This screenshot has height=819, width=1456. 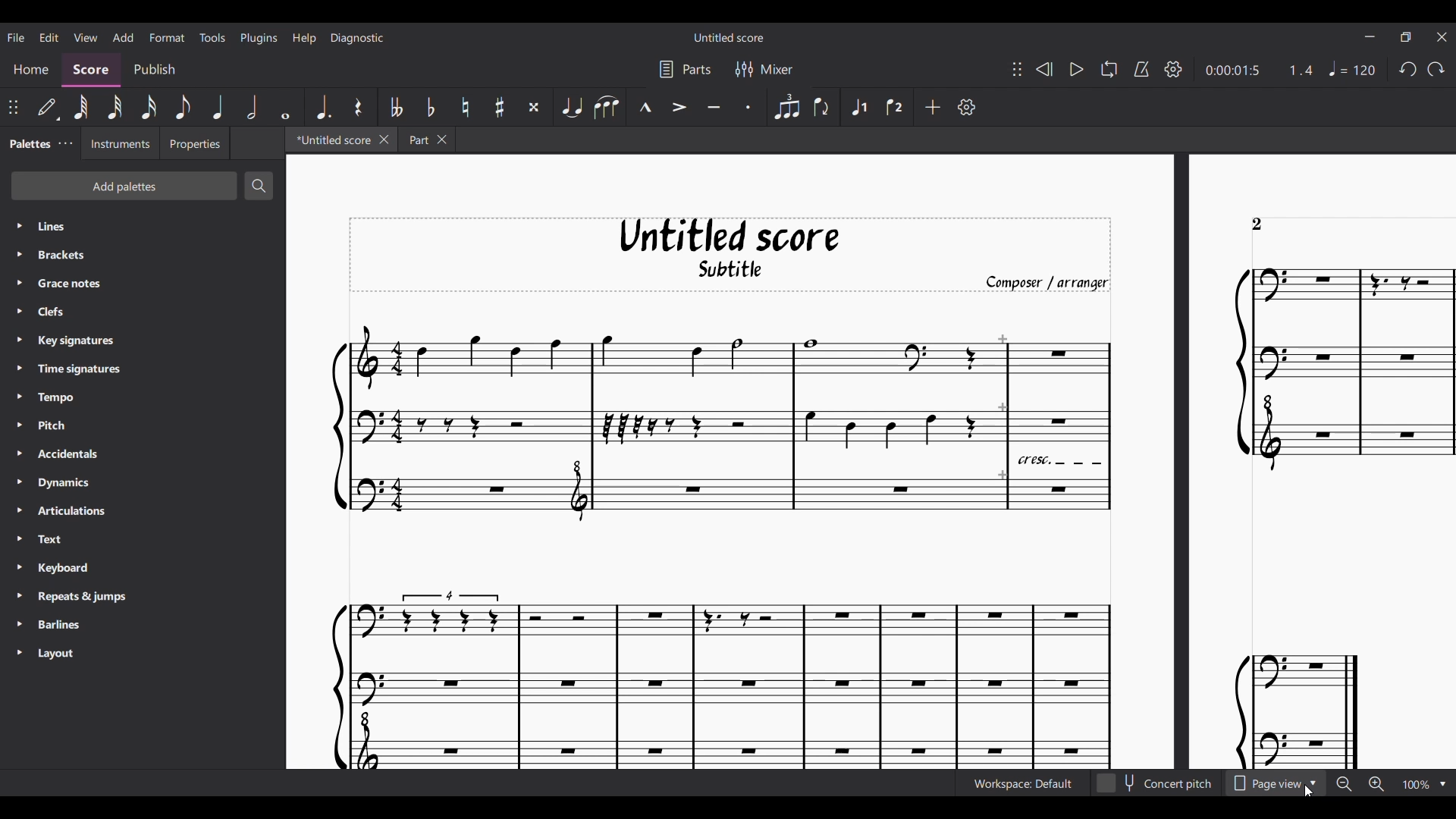 I want to click on Current tab, so click(x=331, y=139).